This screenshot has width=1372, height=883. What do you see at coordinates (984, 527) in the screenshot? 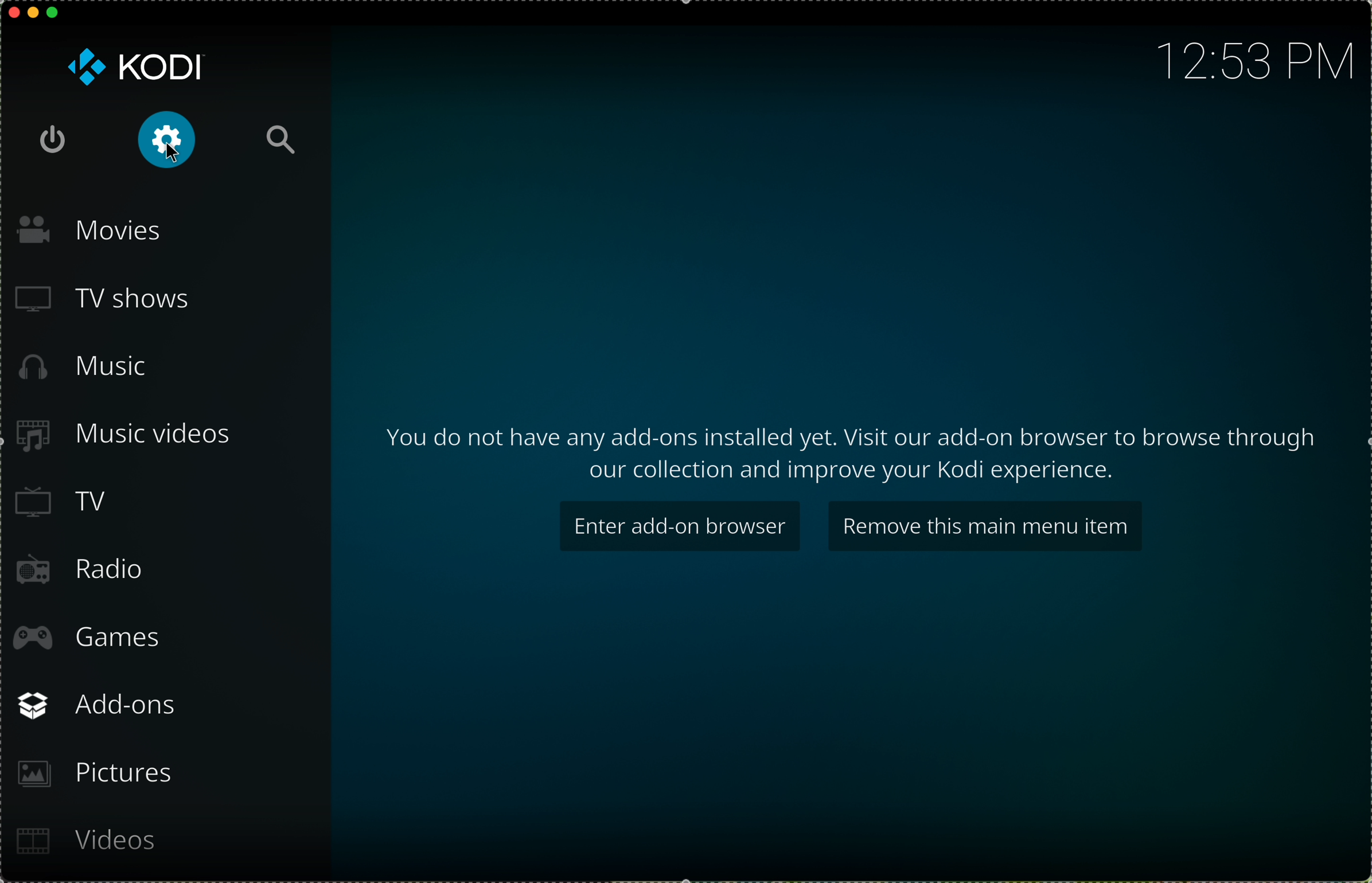
I see `remove this main menu item button` at bounding box center [984, 527].